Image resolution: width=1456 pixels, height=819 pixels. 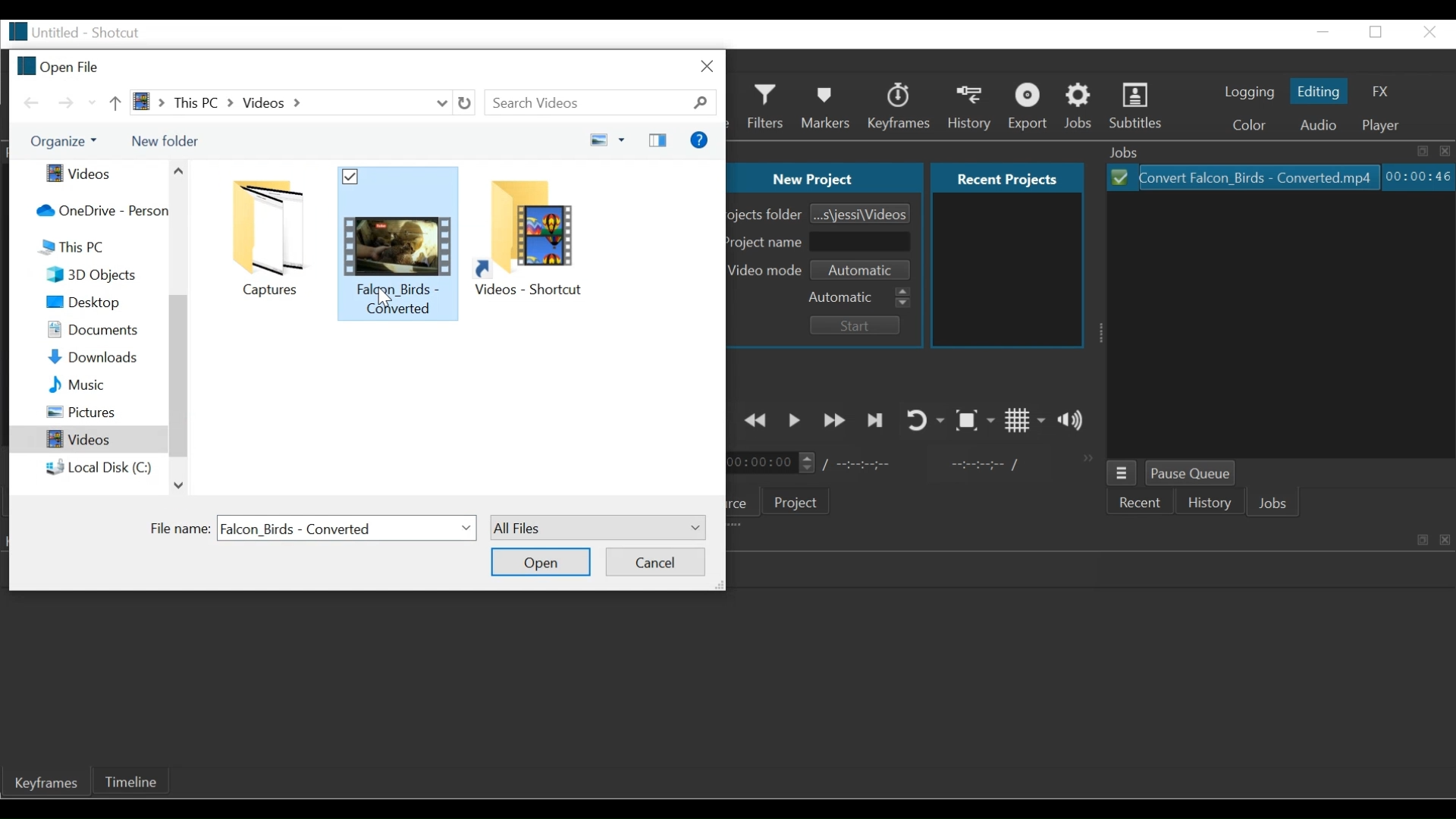 What do you see at coordinates (1031, 108) in the screenshot?
I see `Export` at bounding box center [1031, 108].